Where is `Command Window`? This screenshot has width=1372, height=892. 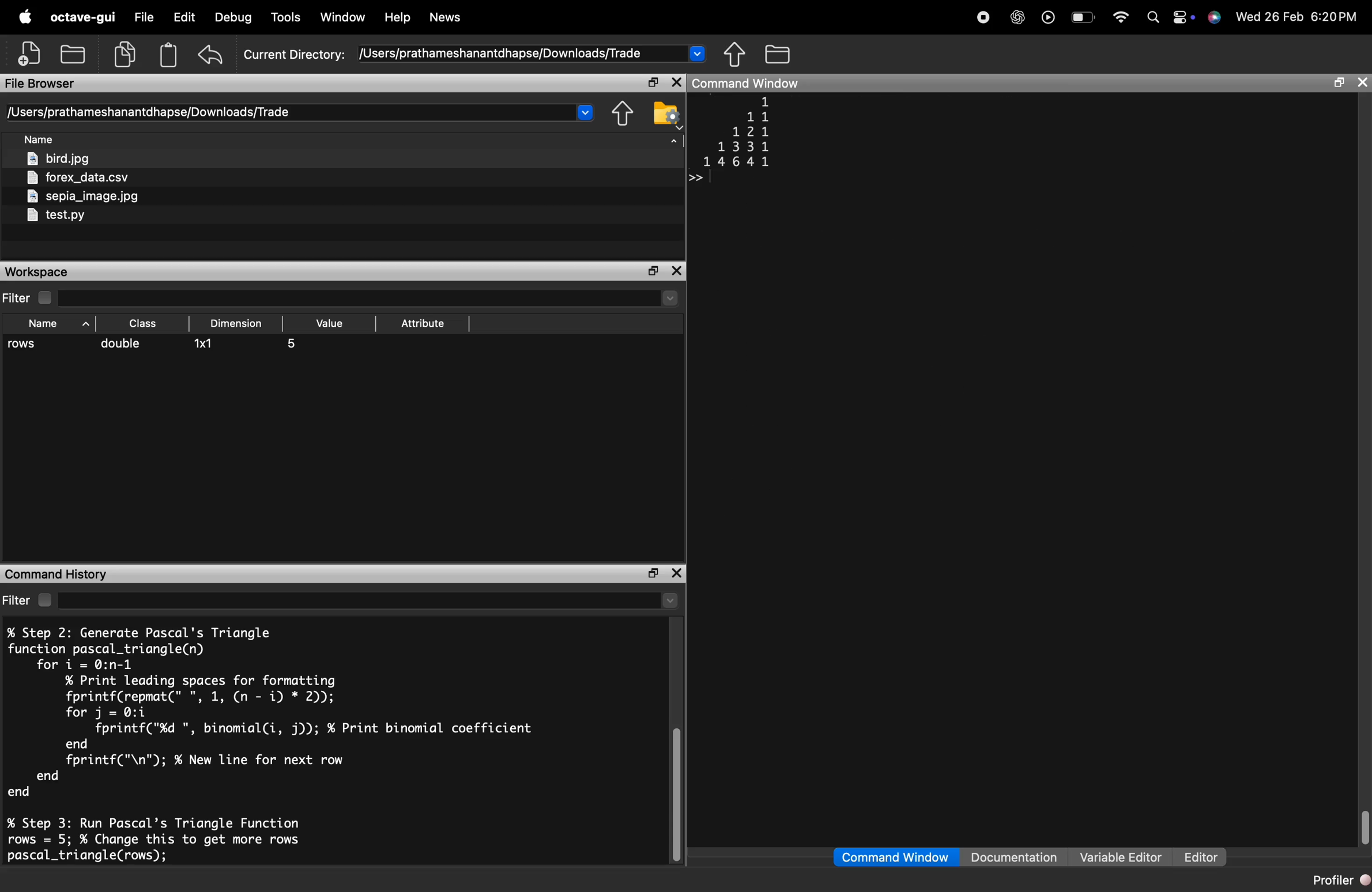 Command Window is located at coordinates (895, 857).